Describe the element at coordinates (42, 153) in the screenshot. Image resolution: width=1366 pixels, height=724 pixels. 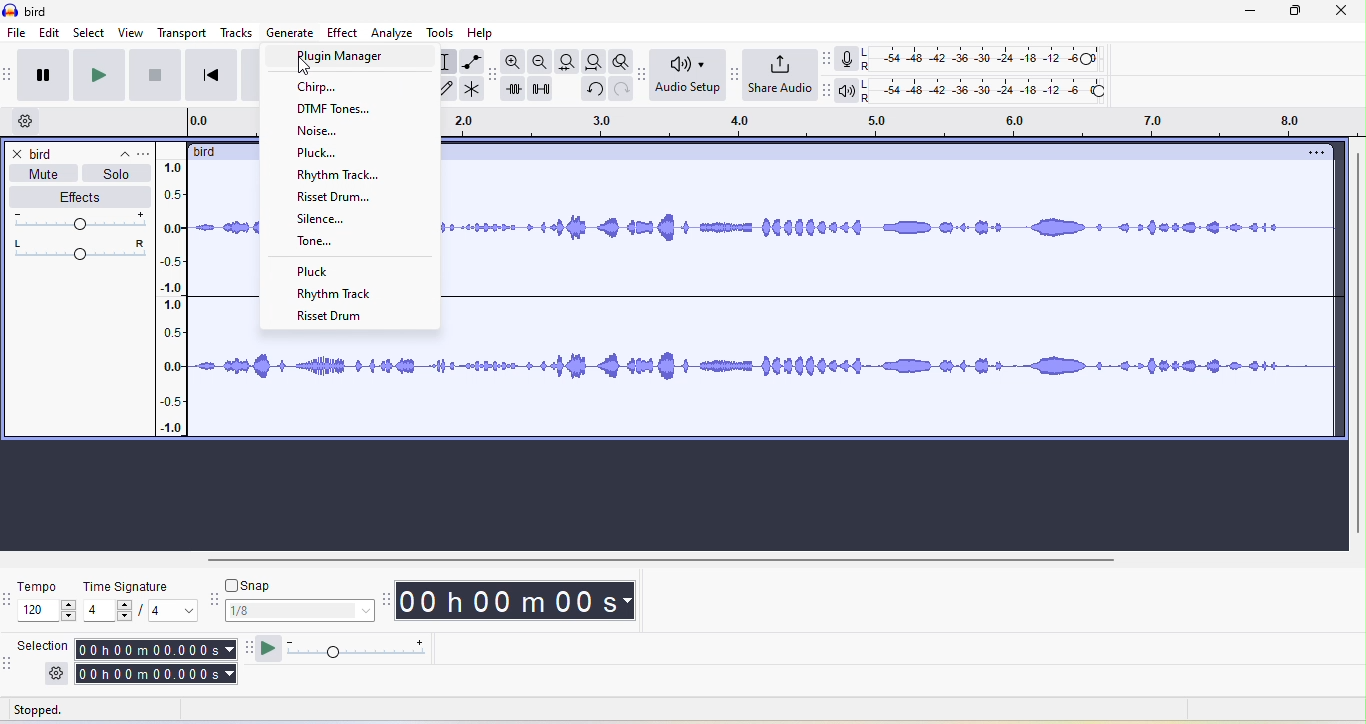
I see `bird` at that location.